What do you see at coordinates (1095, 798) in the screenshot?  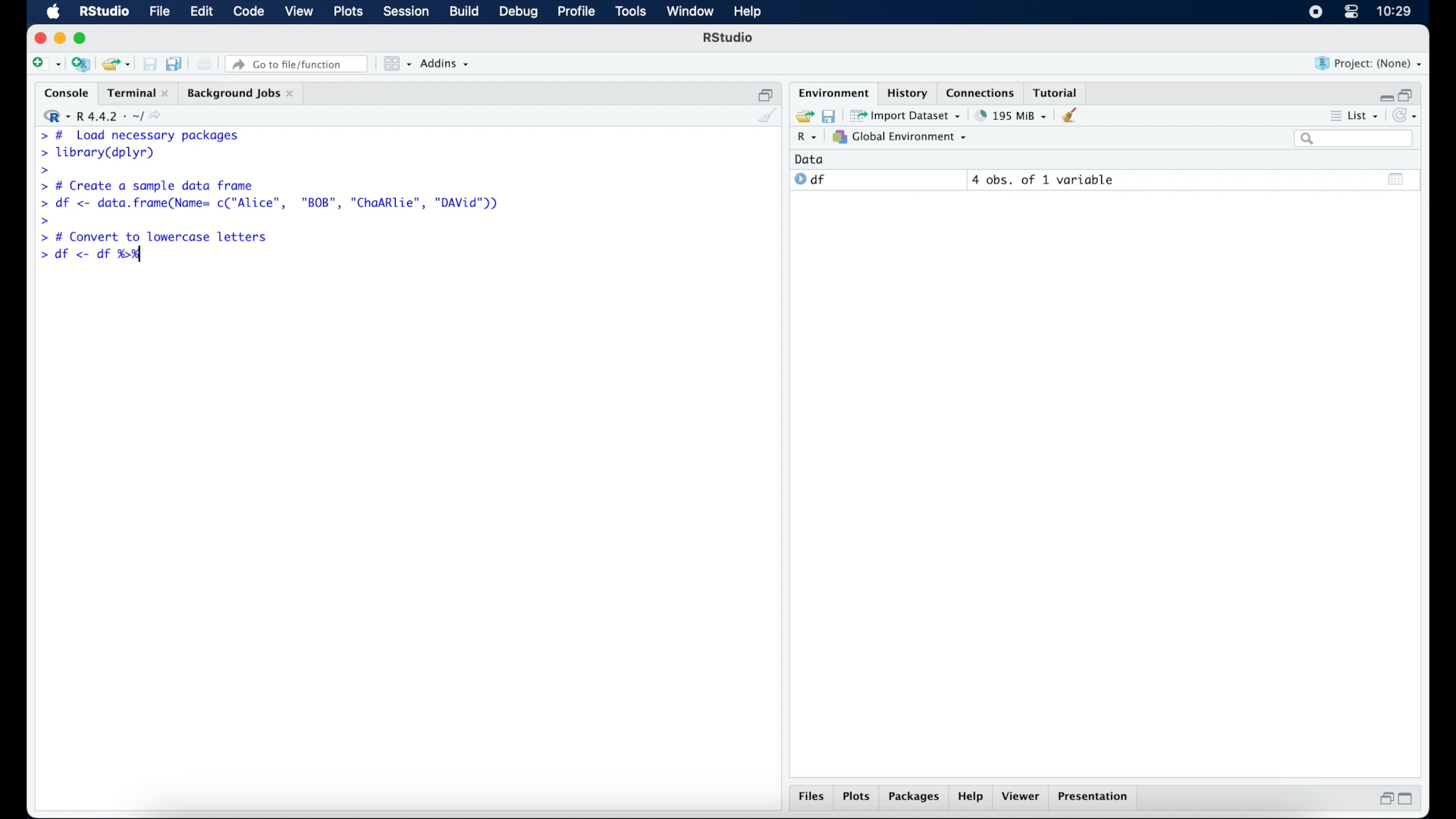 I see `presentation` at bounding box center [1095, 798].